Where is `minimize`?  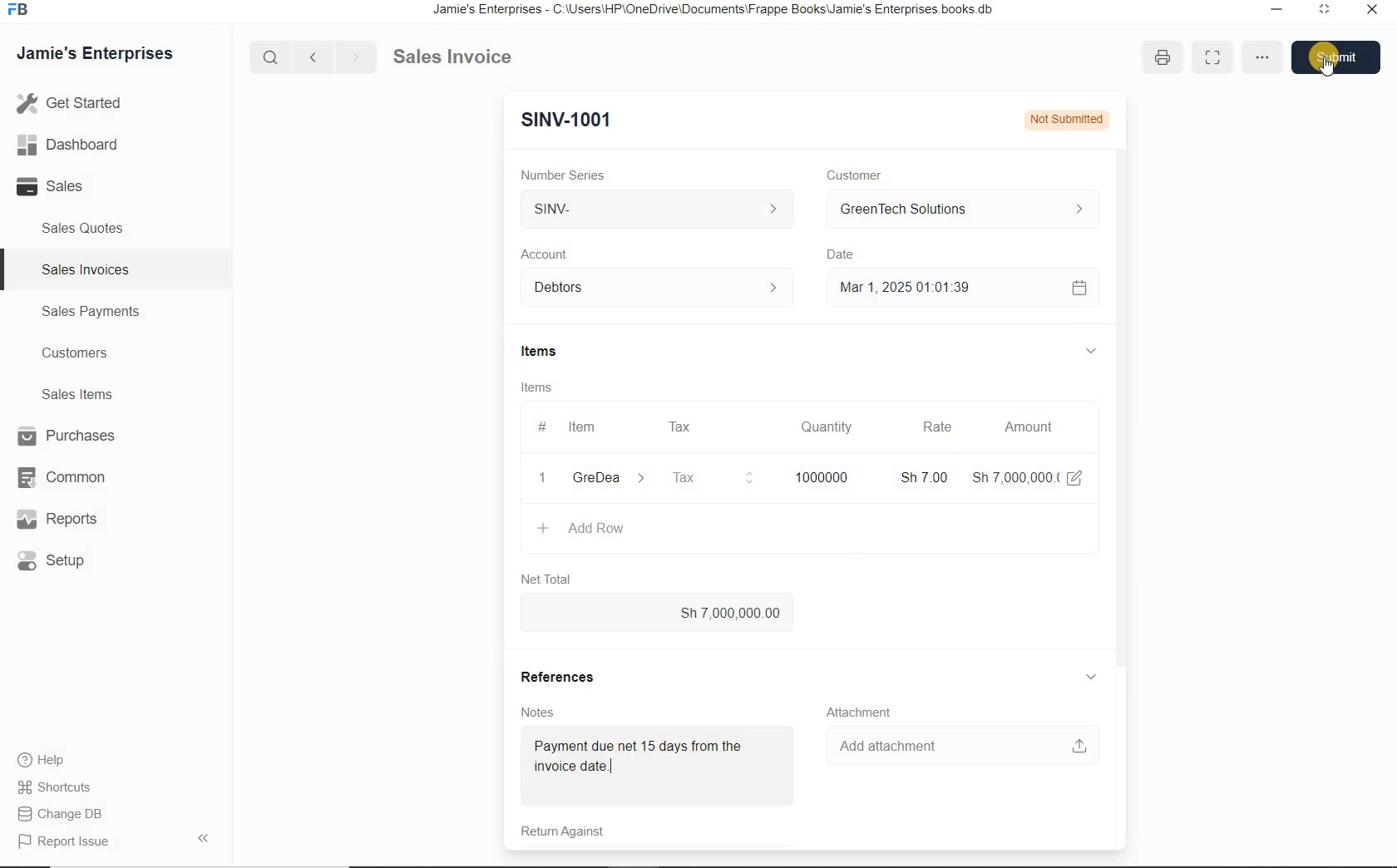
minimize is located at coordinates (1324, 12).